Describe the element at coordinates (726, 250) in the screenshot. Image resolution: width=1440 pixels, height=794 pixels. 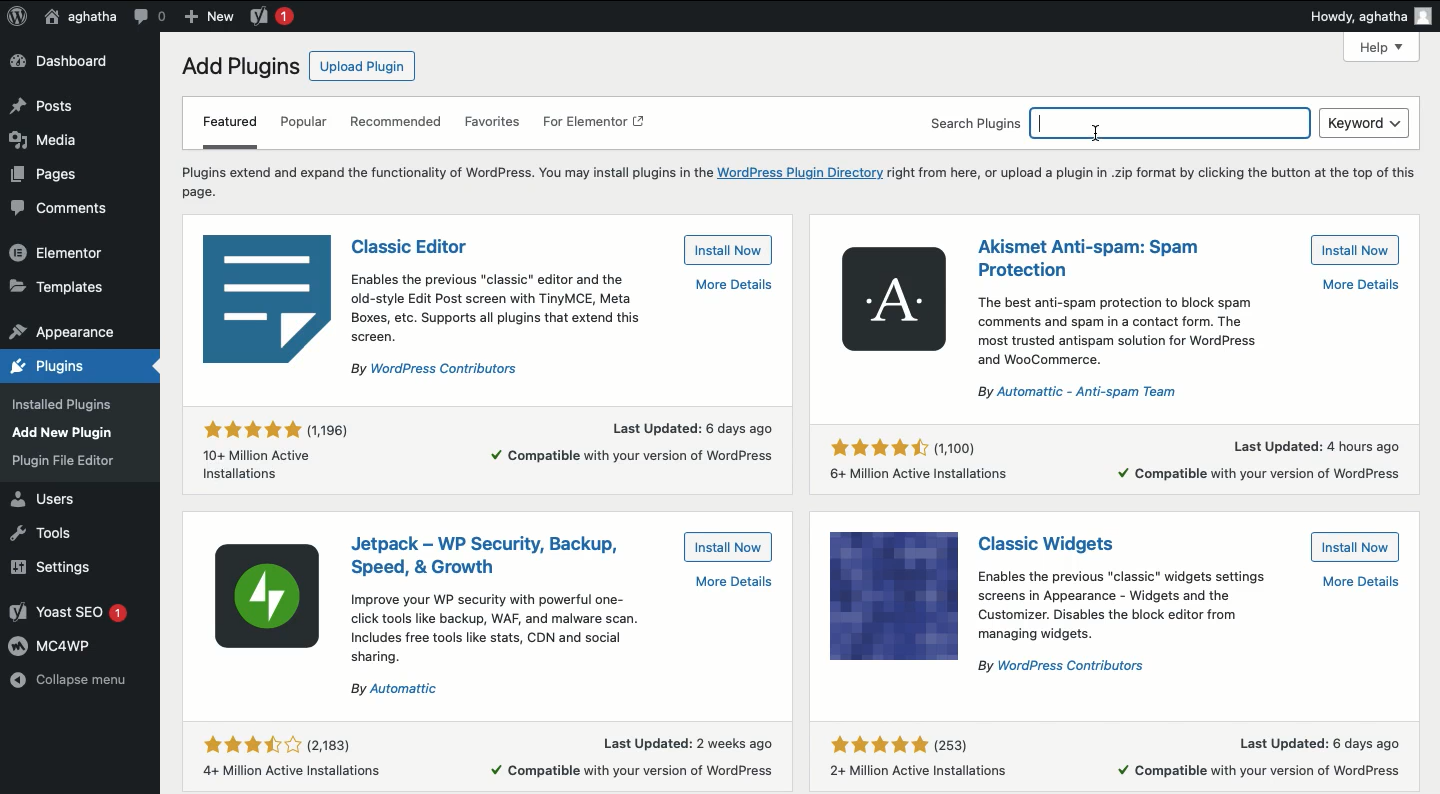
I see `Install now` at that location.